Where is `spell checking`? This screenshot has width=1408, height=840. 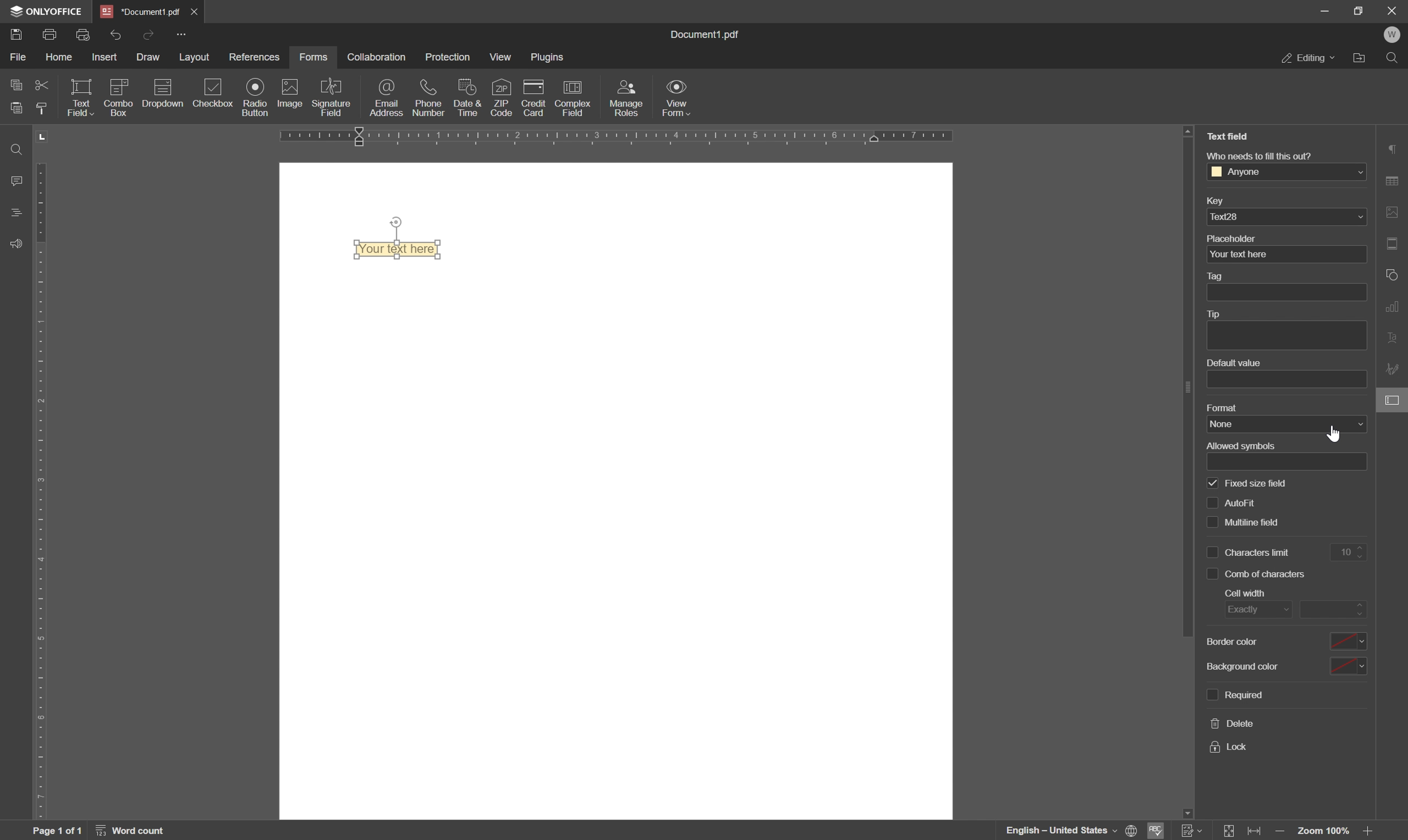
spell checking is located at coordinates (1158, 830).